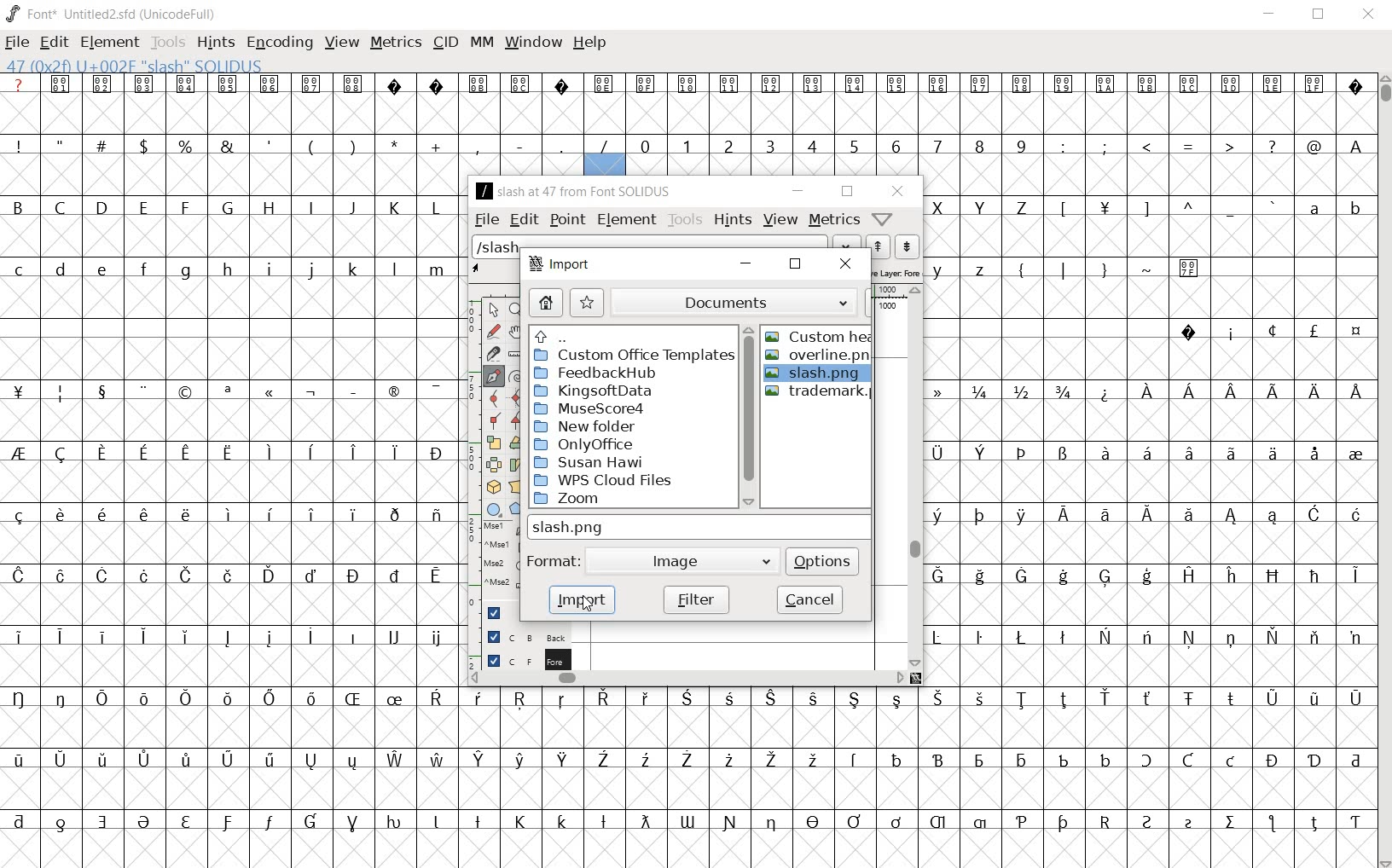  I want to click on close, so click(844, 264).